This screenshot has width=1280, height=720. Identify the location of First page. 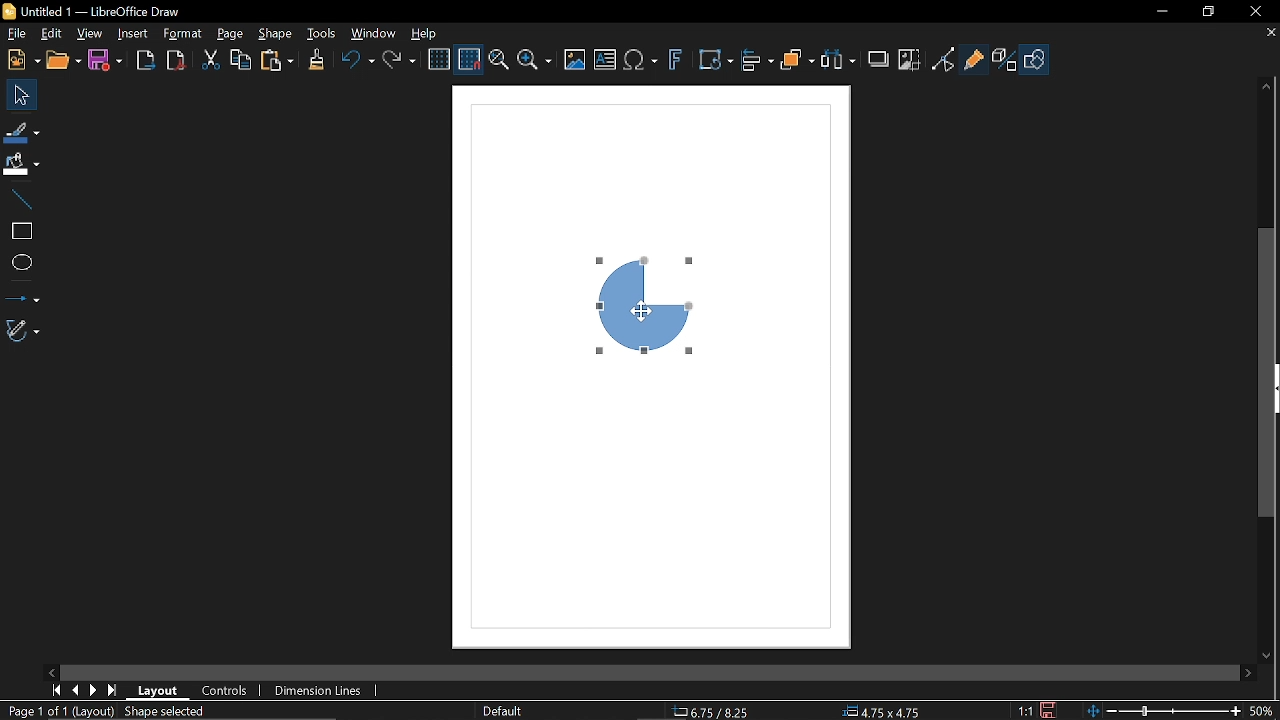
(56, 689).